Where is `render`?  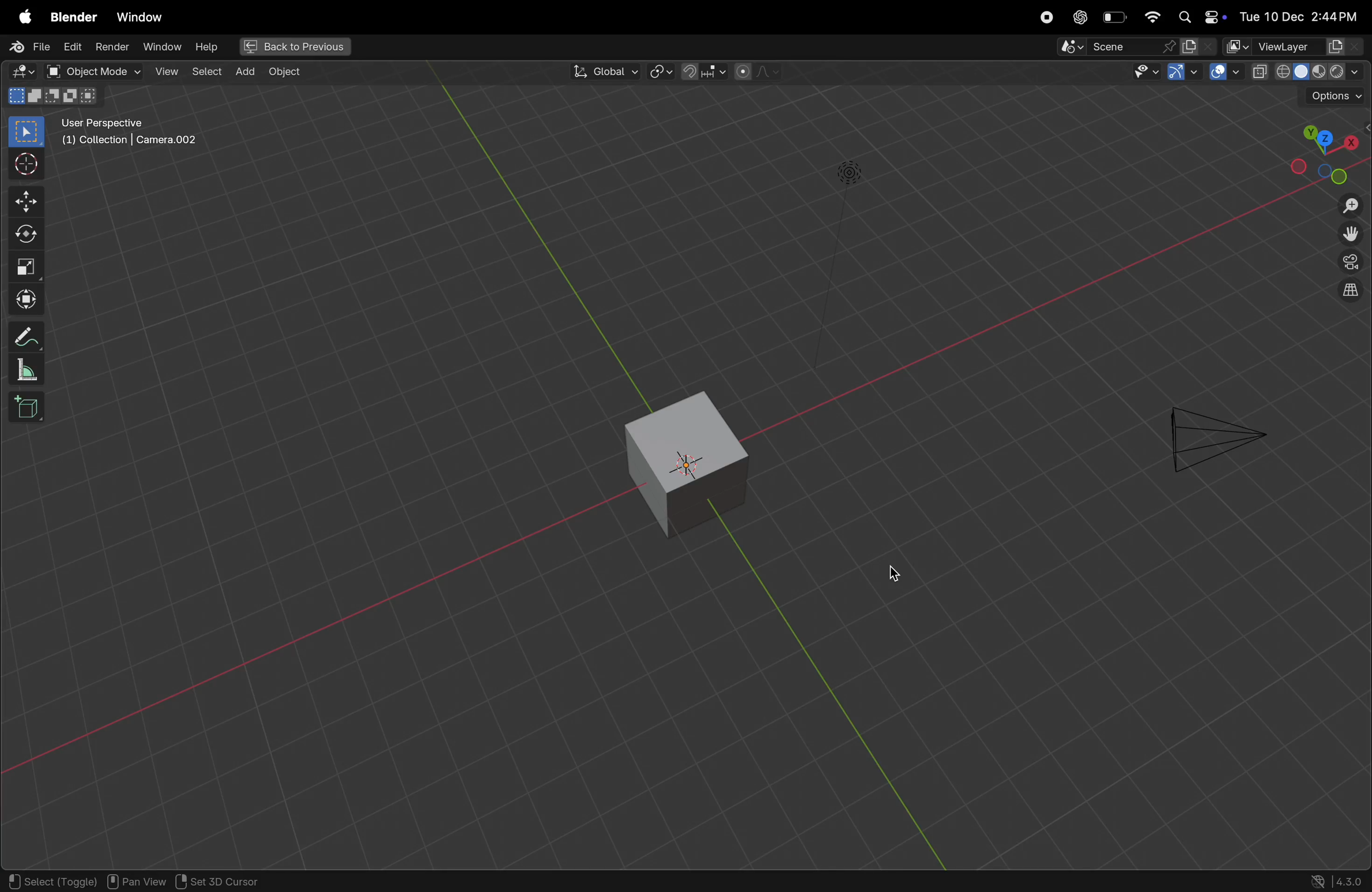
render is located at coordinates (112, 47).